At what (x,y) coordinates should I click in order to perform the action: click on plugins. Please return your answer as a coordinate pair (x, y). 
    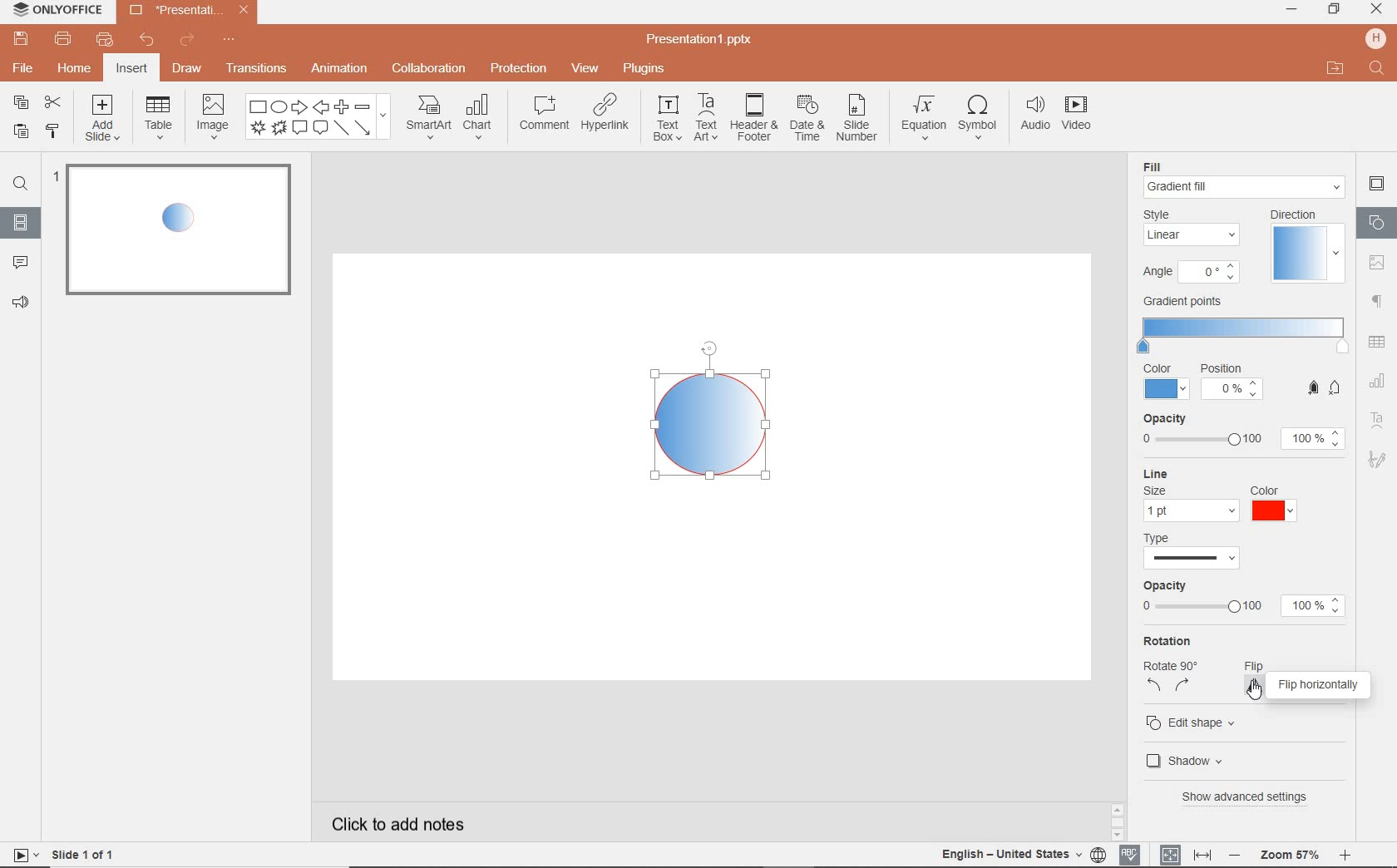
    Looking at the image, I should click on (645, 70).